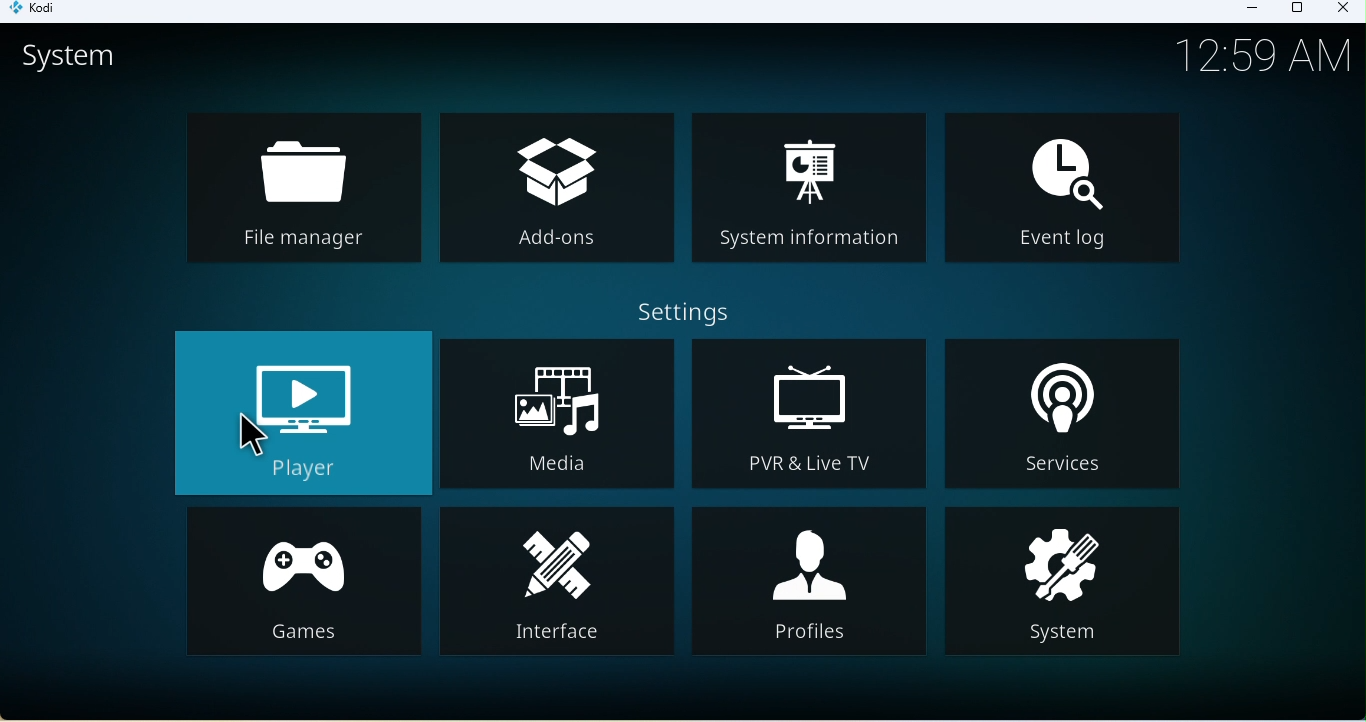 Image resolution: width=1366 pixels, height=722 pixels. Describe the element at coordinates (1271, 59) in the screenshot. I see `12.59 am` at that location.